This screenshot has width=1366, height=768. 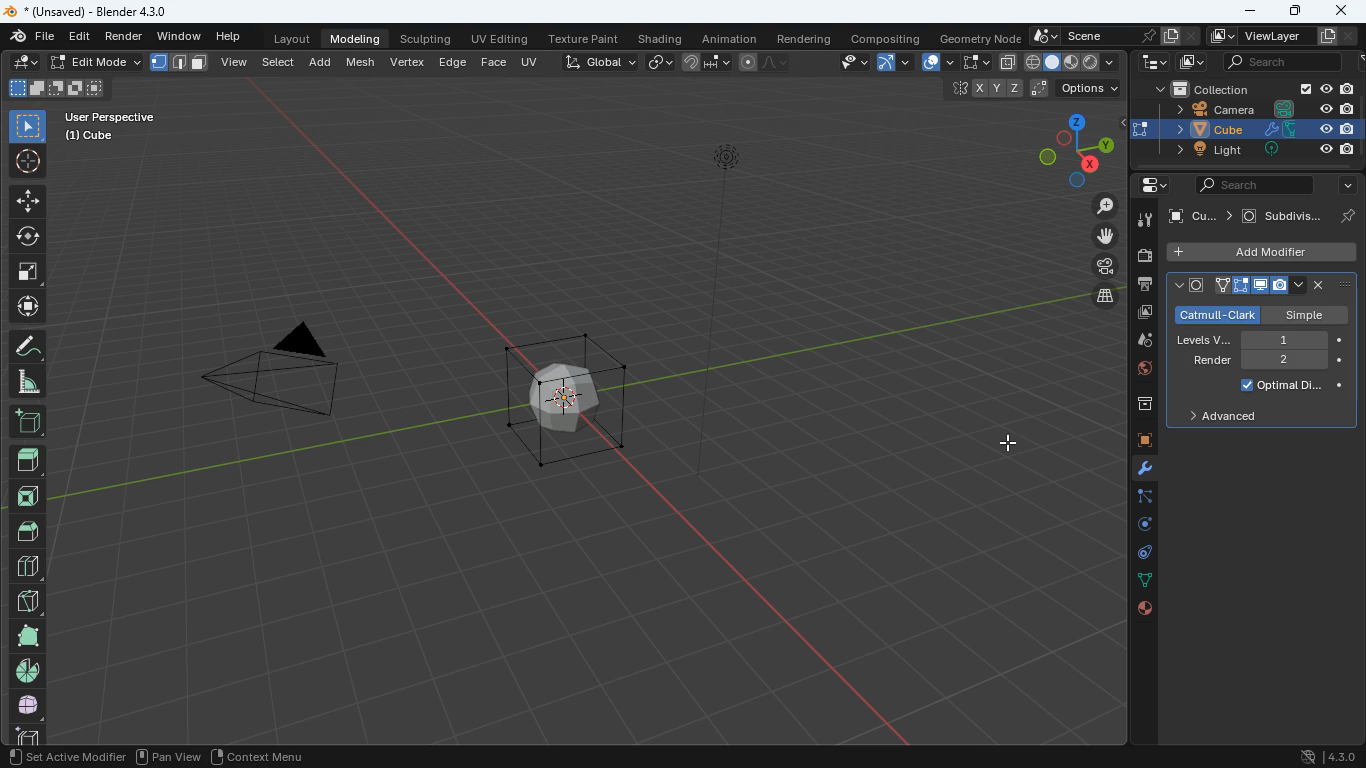 What do you see at coordinates (1073, 61) in the screenshot?
I see `shape` at bounding box center [1073, 61].